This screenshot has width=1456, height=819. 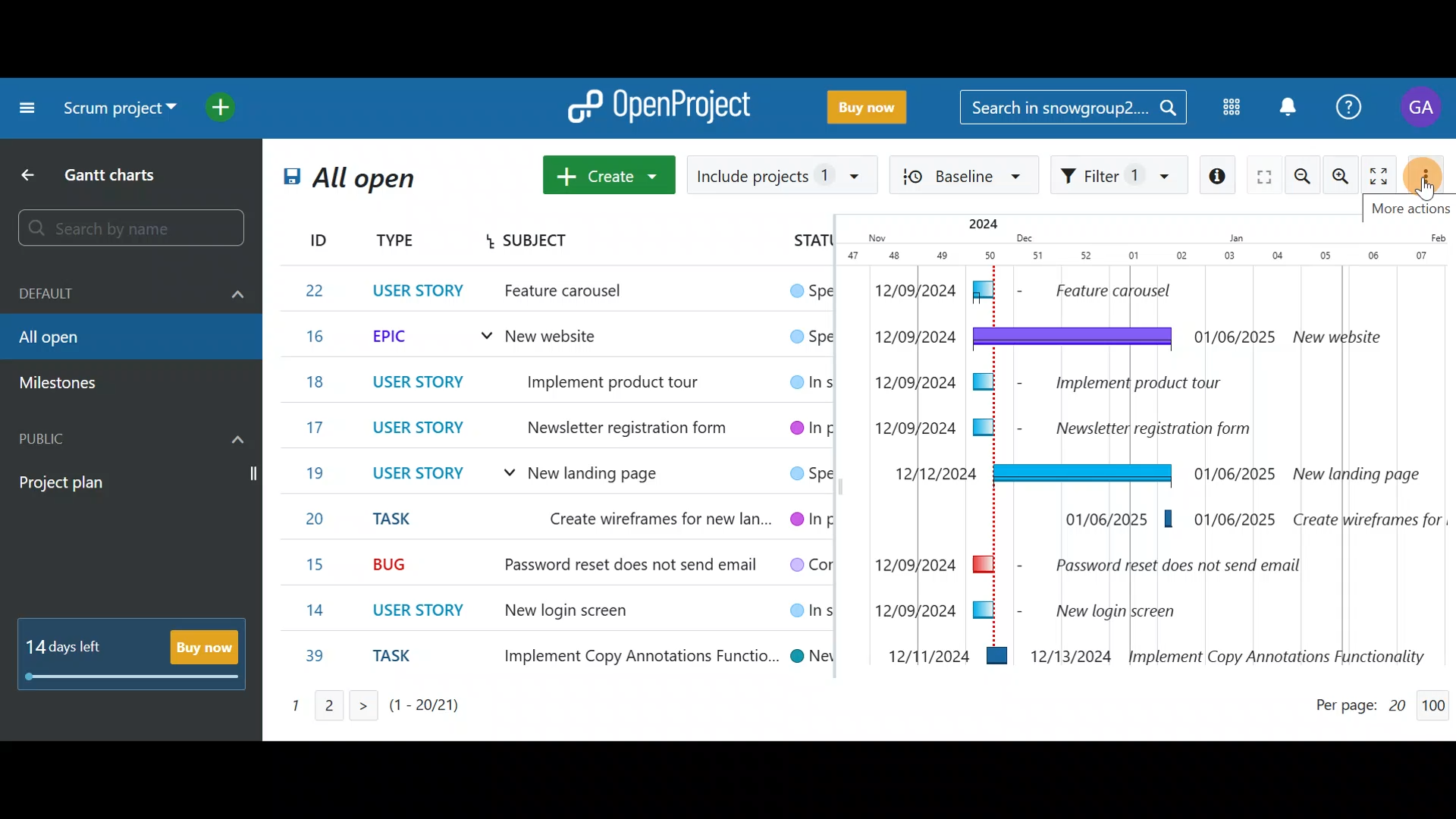 What do you see at coordinates (419, 475) in the screenshot?
I see `USER STORY` at bounding box center [419, 475].